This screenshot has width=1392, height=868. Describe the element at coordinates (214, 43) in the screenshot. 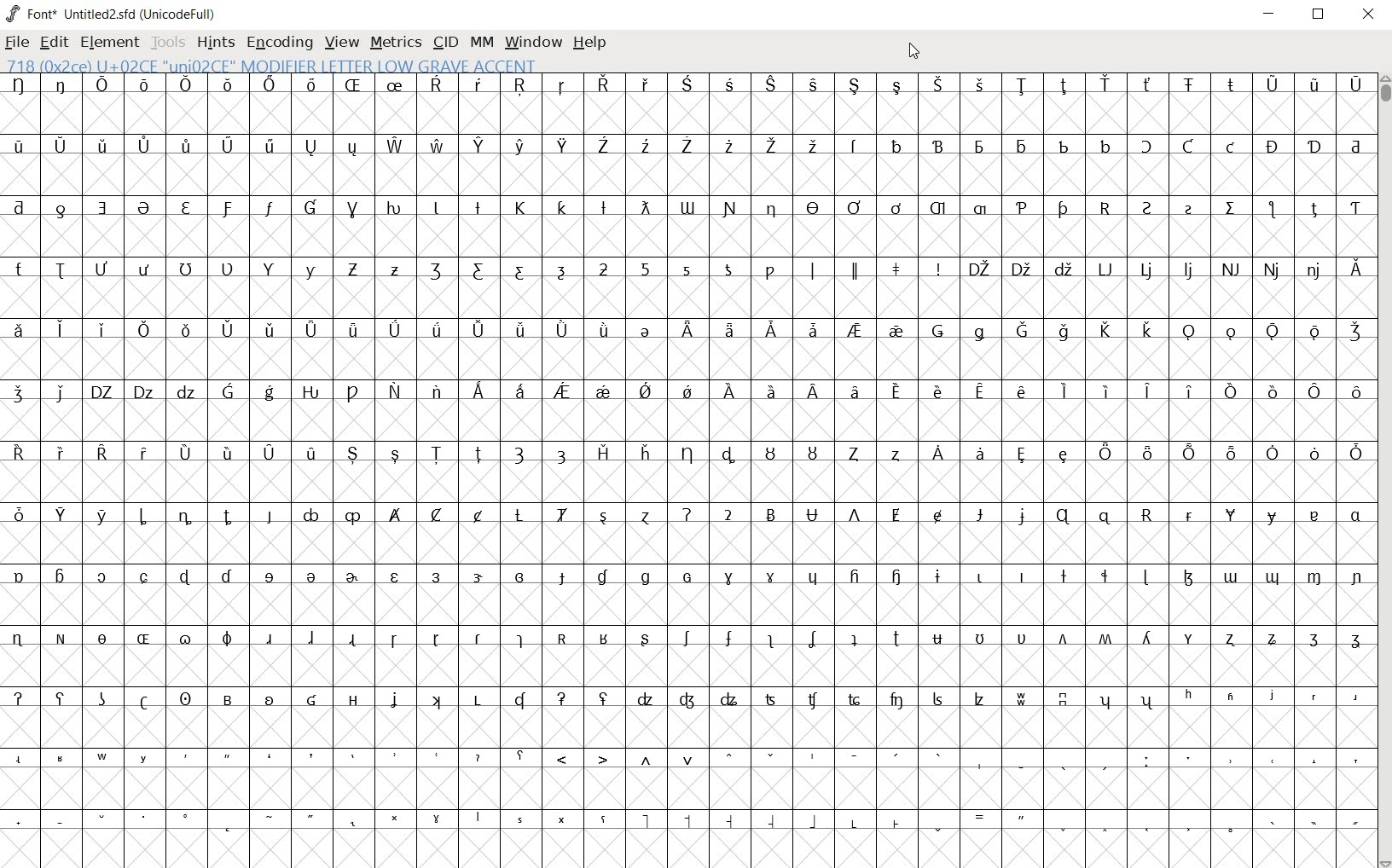

I see `hints` at that location.